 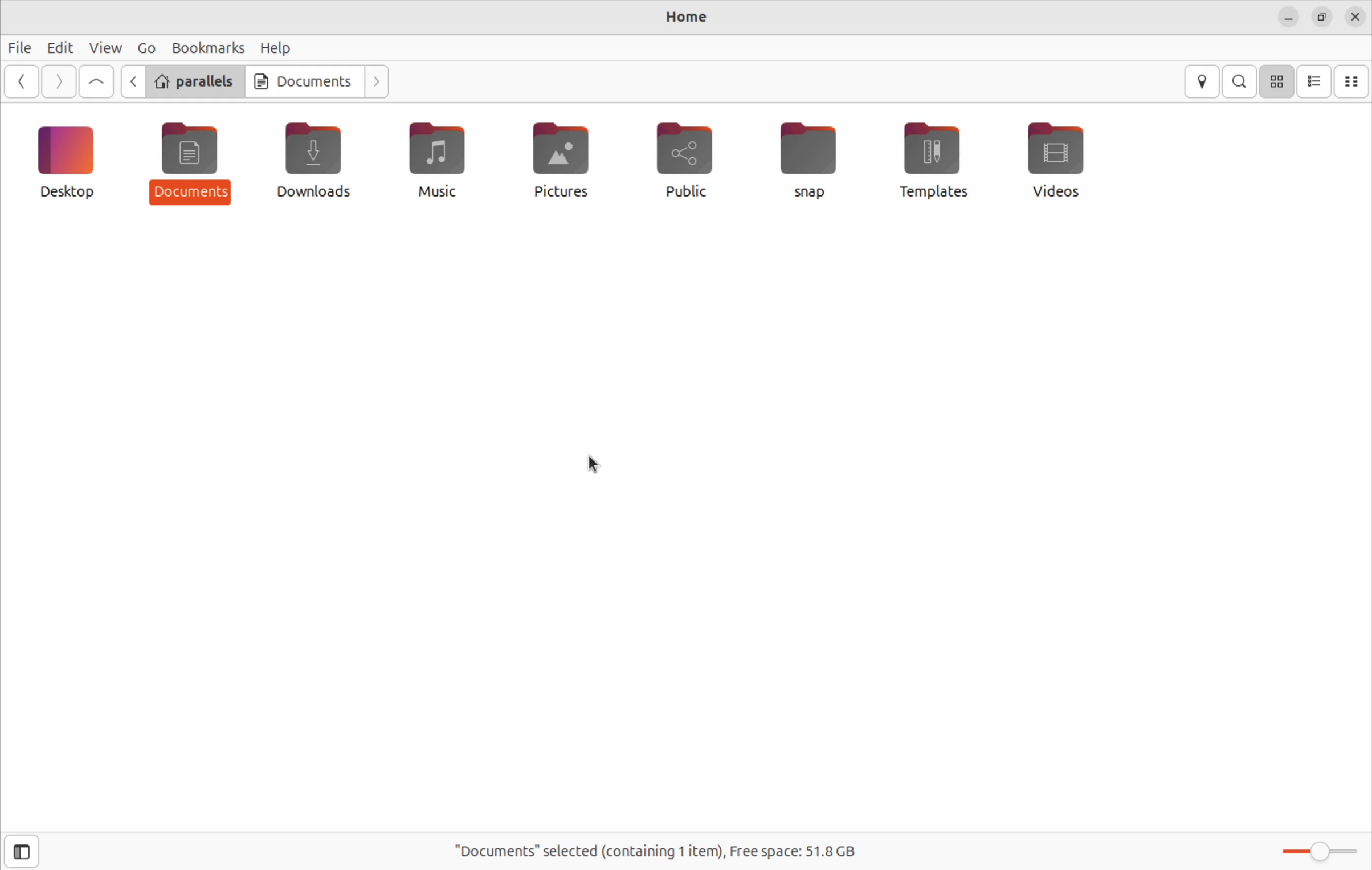 I want to click on documents, so click(x=697, y=19).